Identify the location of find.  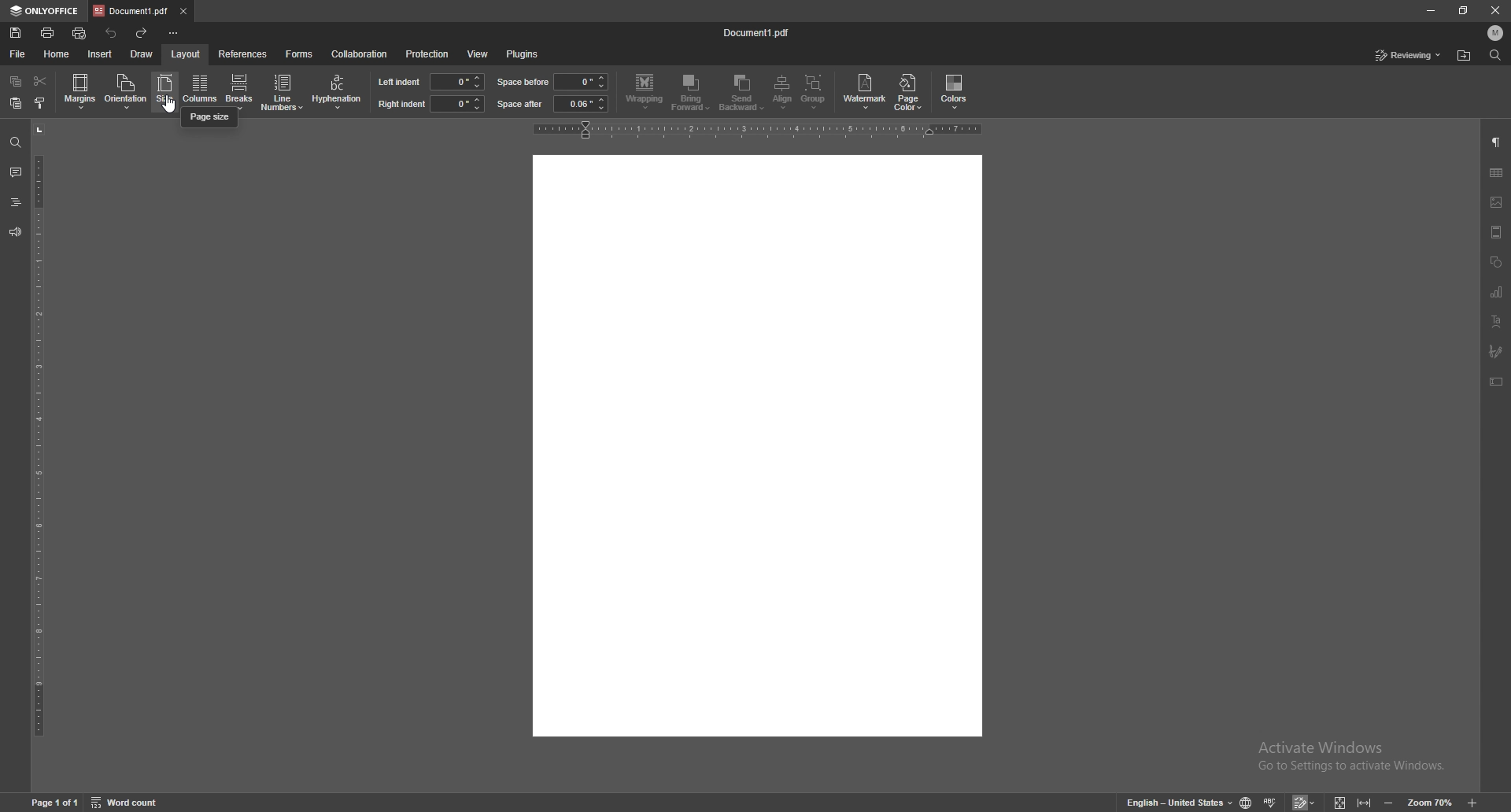
(1496, 55).